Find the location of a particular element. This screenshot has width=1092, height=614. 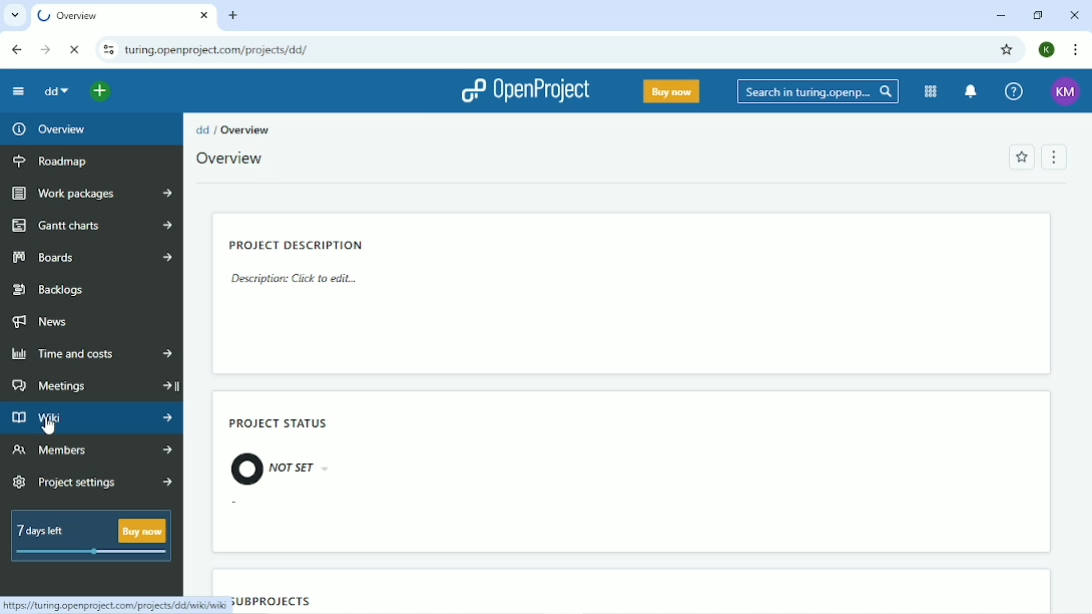

Buy now is located at coordinates (670, 92).